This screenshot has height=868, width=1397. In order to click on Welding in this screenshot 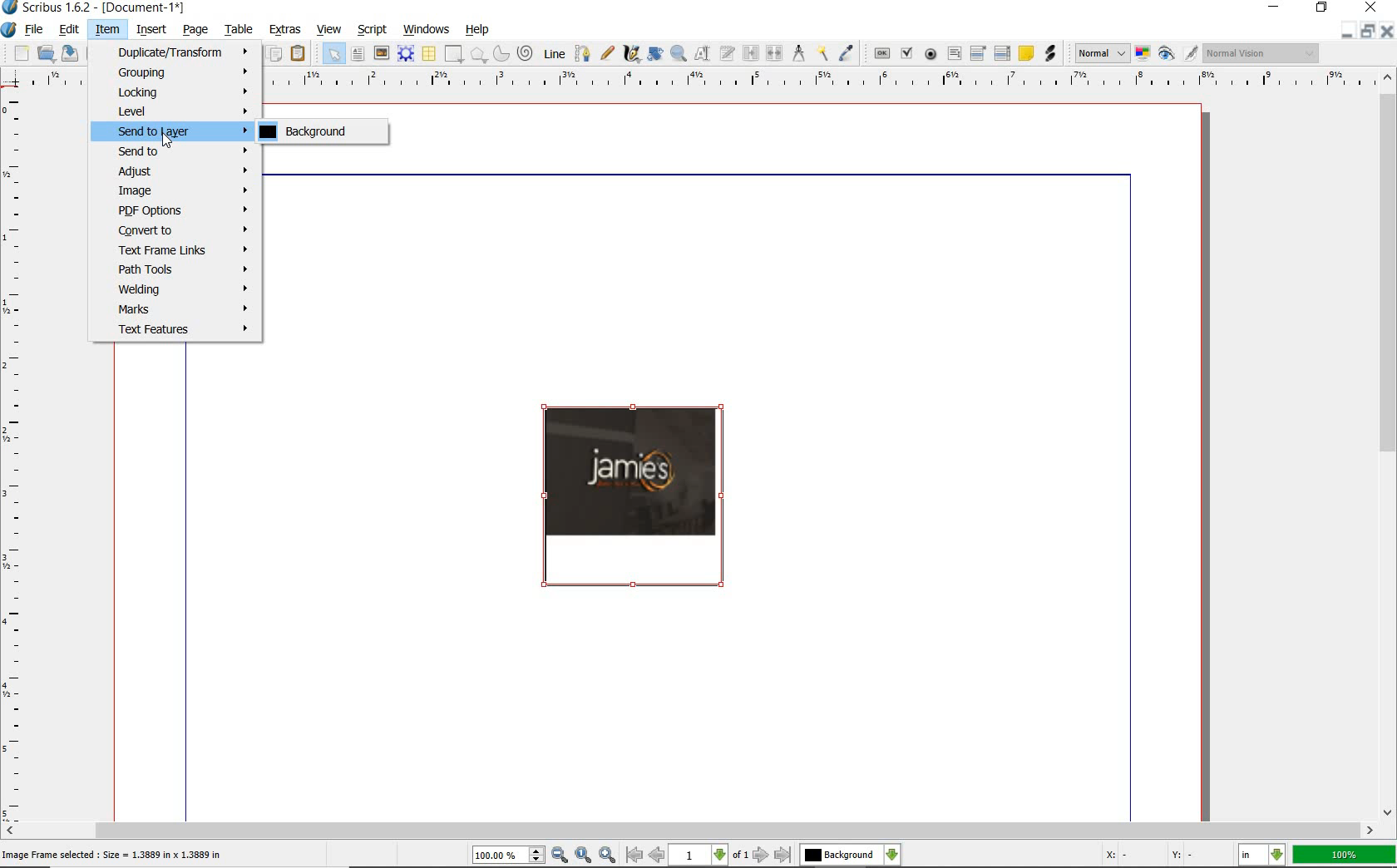, I will do `click(178, 289)`.